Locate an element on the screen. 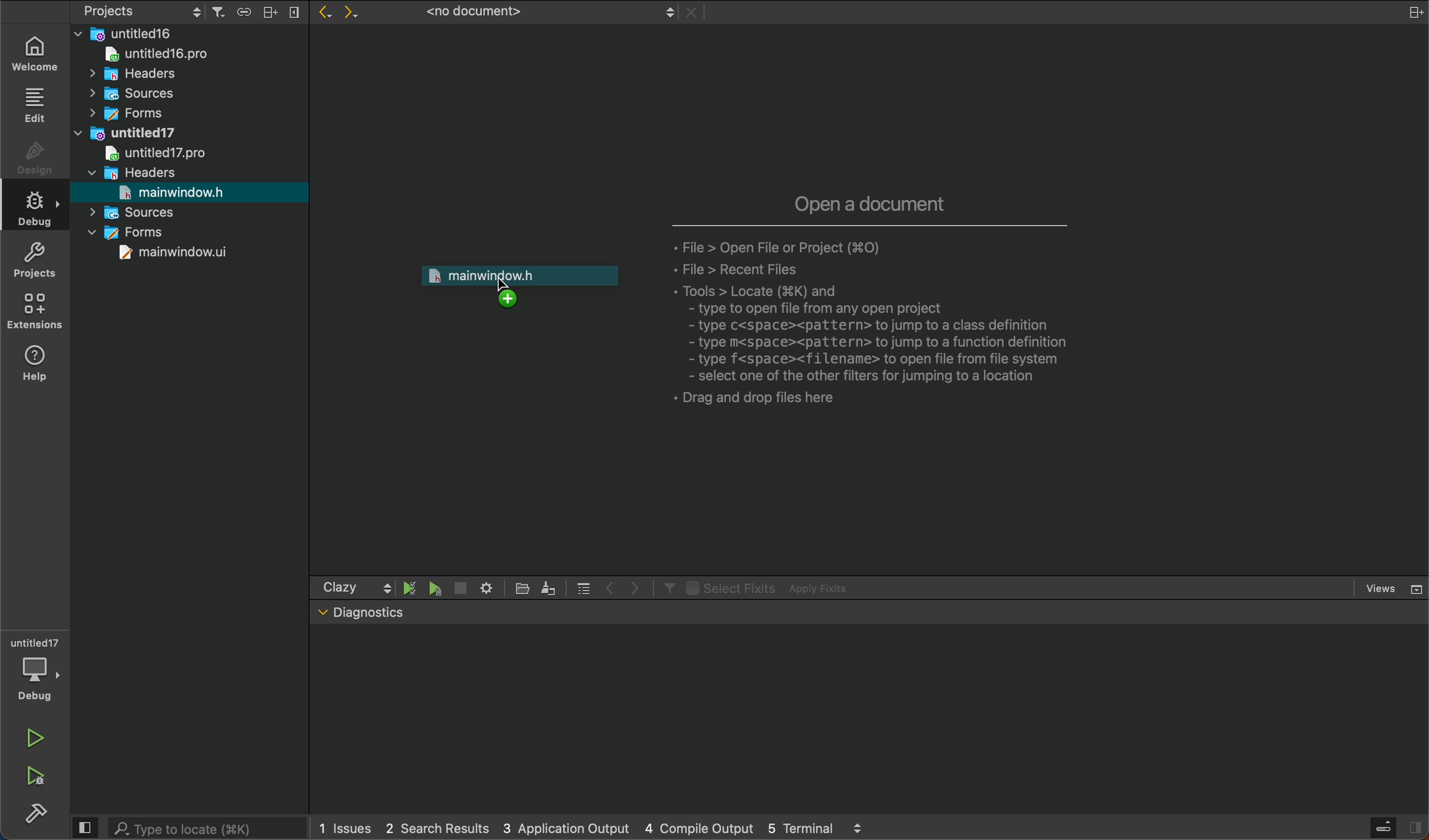 This screenshot has height=840, width=1429. + File > Open File or Project (880)

« File > Recent Files

» Tools > Locate (38K) and
- type to open file from any open project
- type c<space><pattern> to jump to a class definition
- type m<space><pattern> to jump to a function definition
- type f<space><filename> to open file from file system
- select one of the other filters for jumping to a location

+ Drag and drop files here is located at coordinates (888, 329).